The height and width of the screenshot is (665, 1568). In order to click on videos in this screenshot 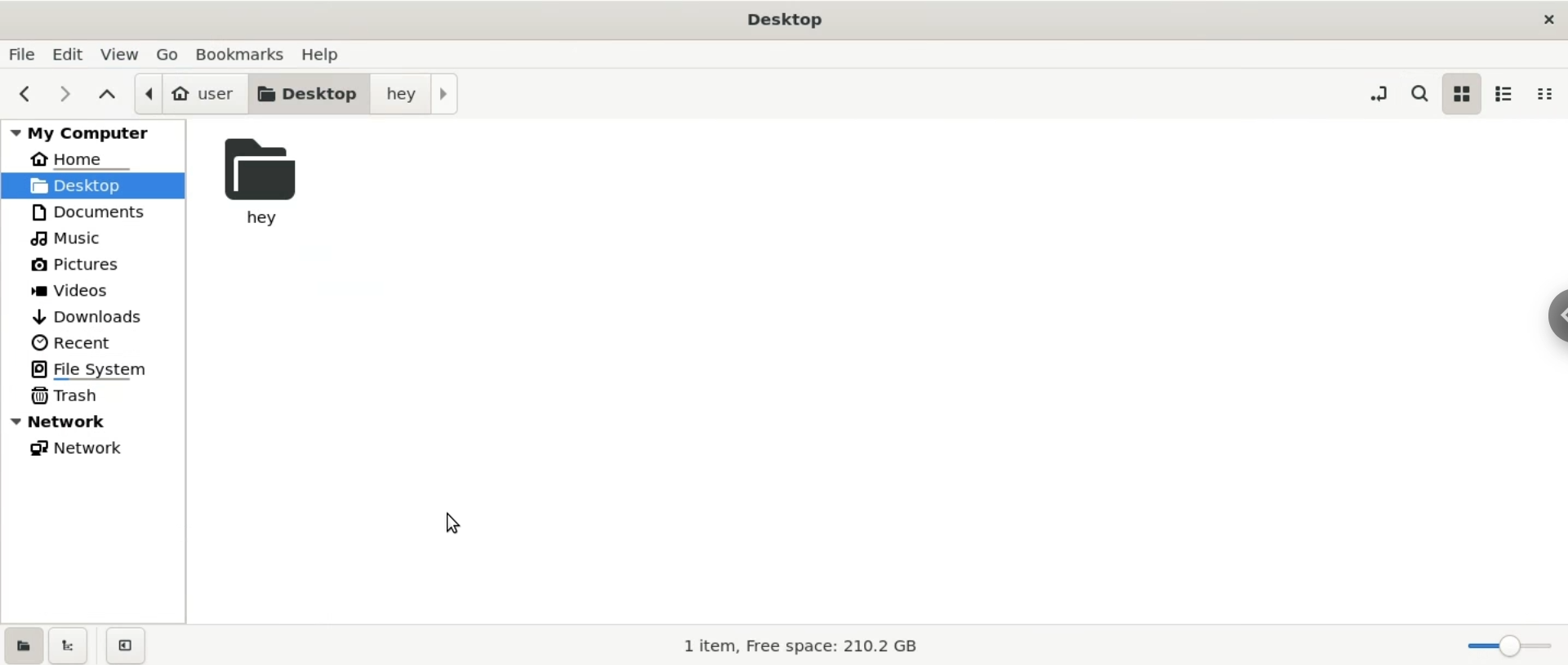, I will do `click(100, 289)`.